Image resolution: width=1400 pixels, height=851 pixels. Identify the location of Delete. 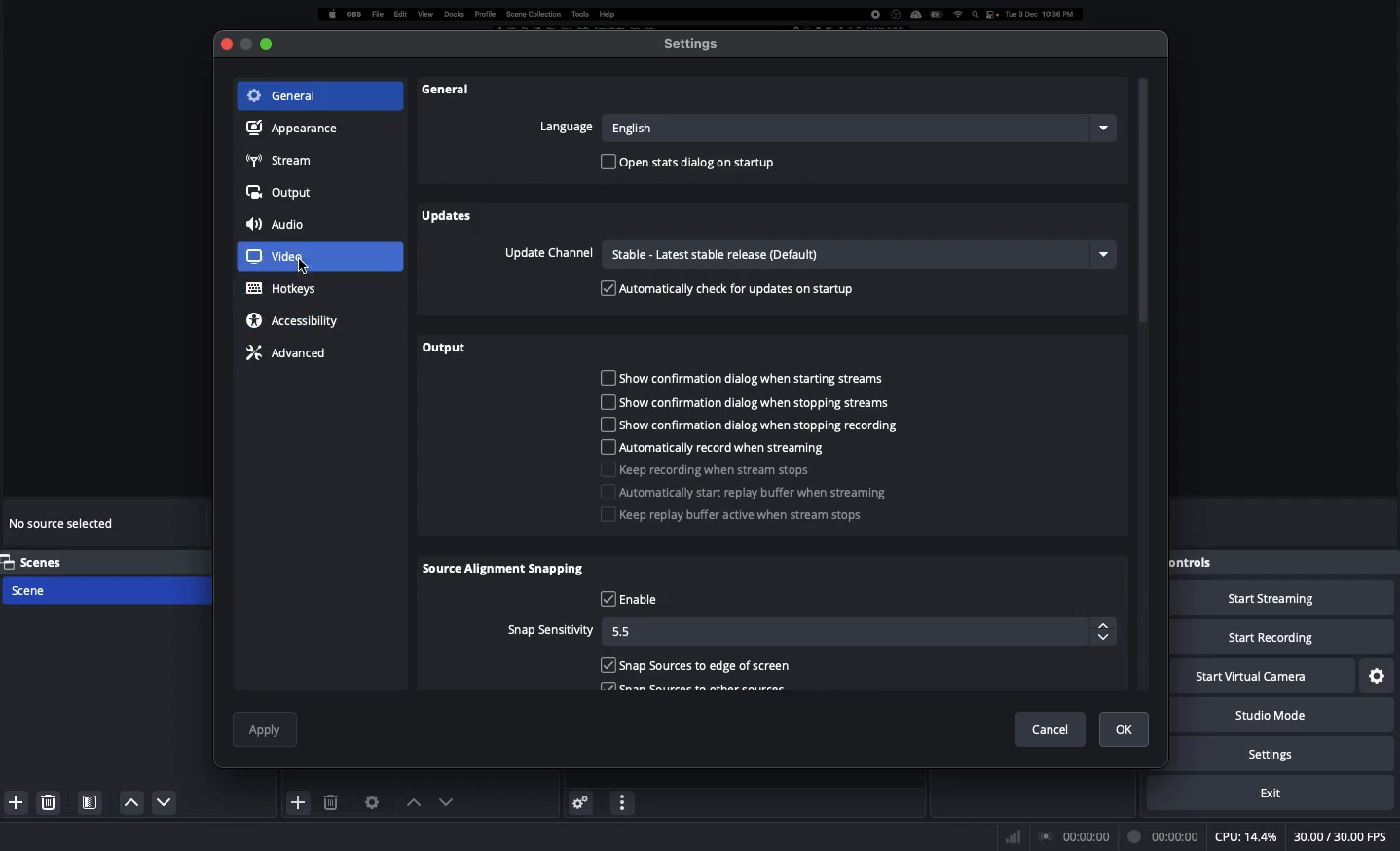
(51, 801).